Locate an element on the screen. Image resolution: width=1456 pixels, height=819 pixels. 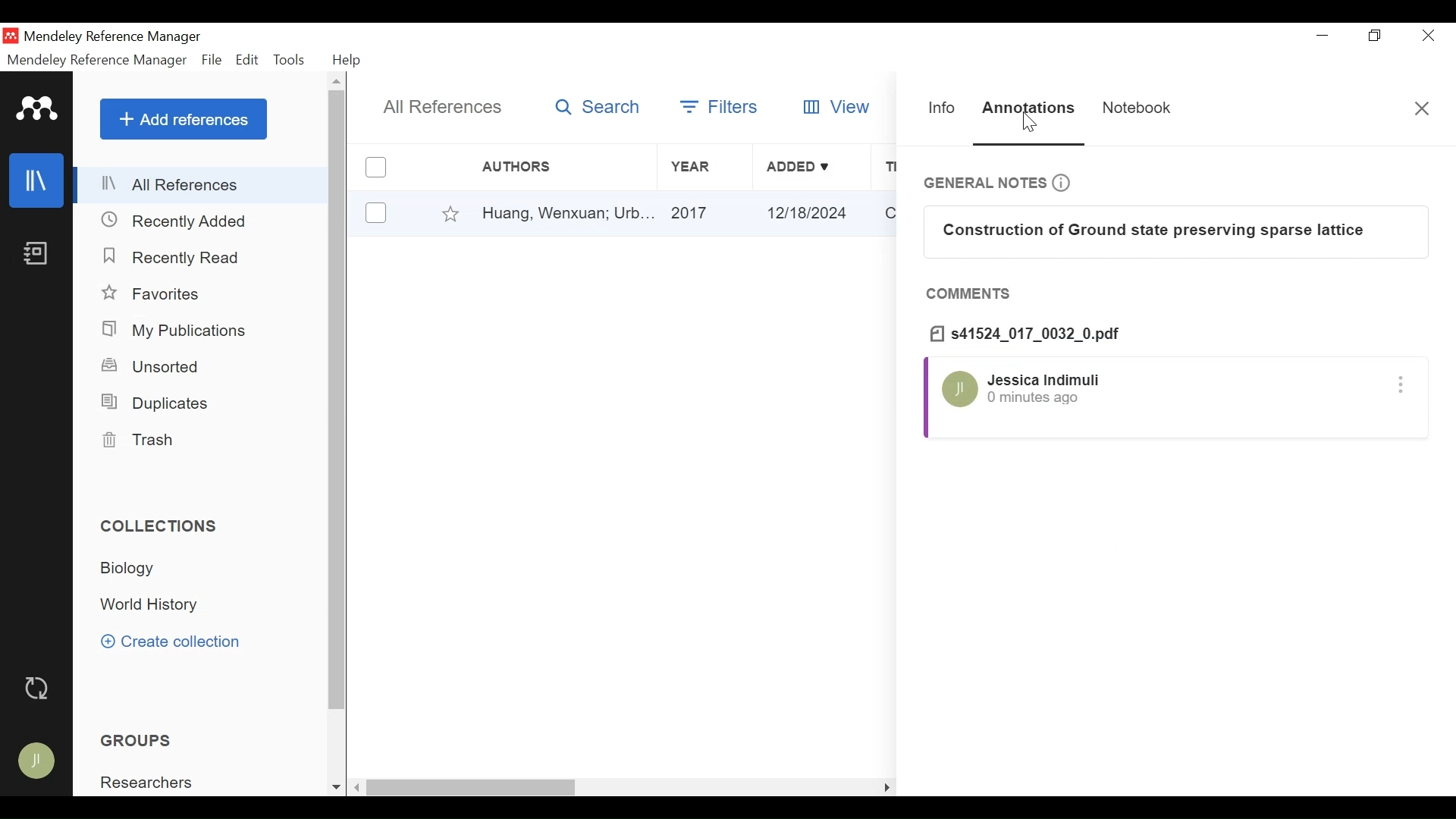
Favorites is located at coordinates (452, 214).